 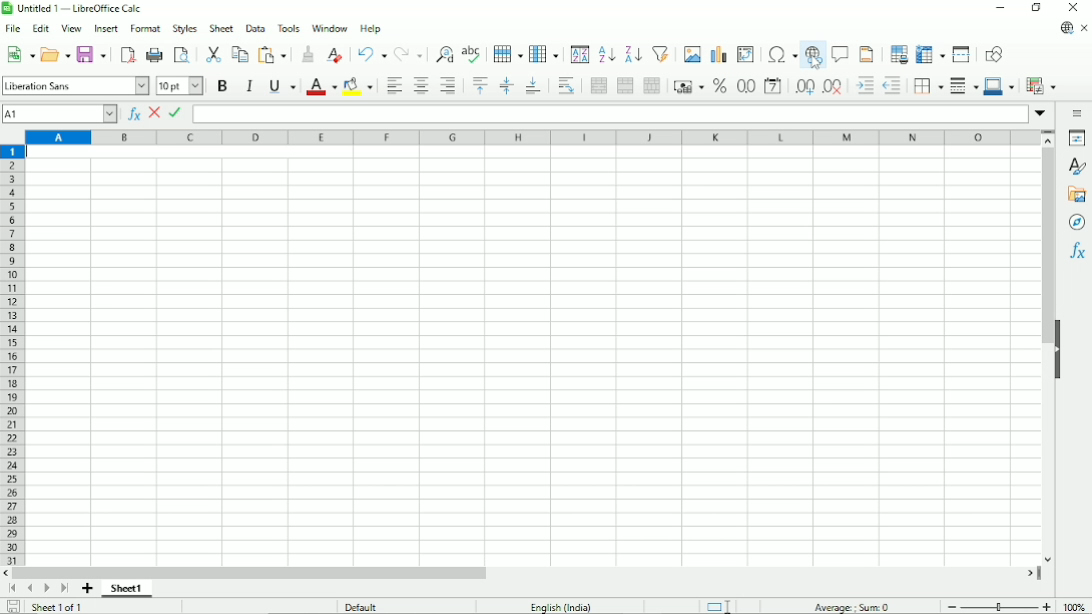 I want to click on Insert, so click(x=105, y=28).